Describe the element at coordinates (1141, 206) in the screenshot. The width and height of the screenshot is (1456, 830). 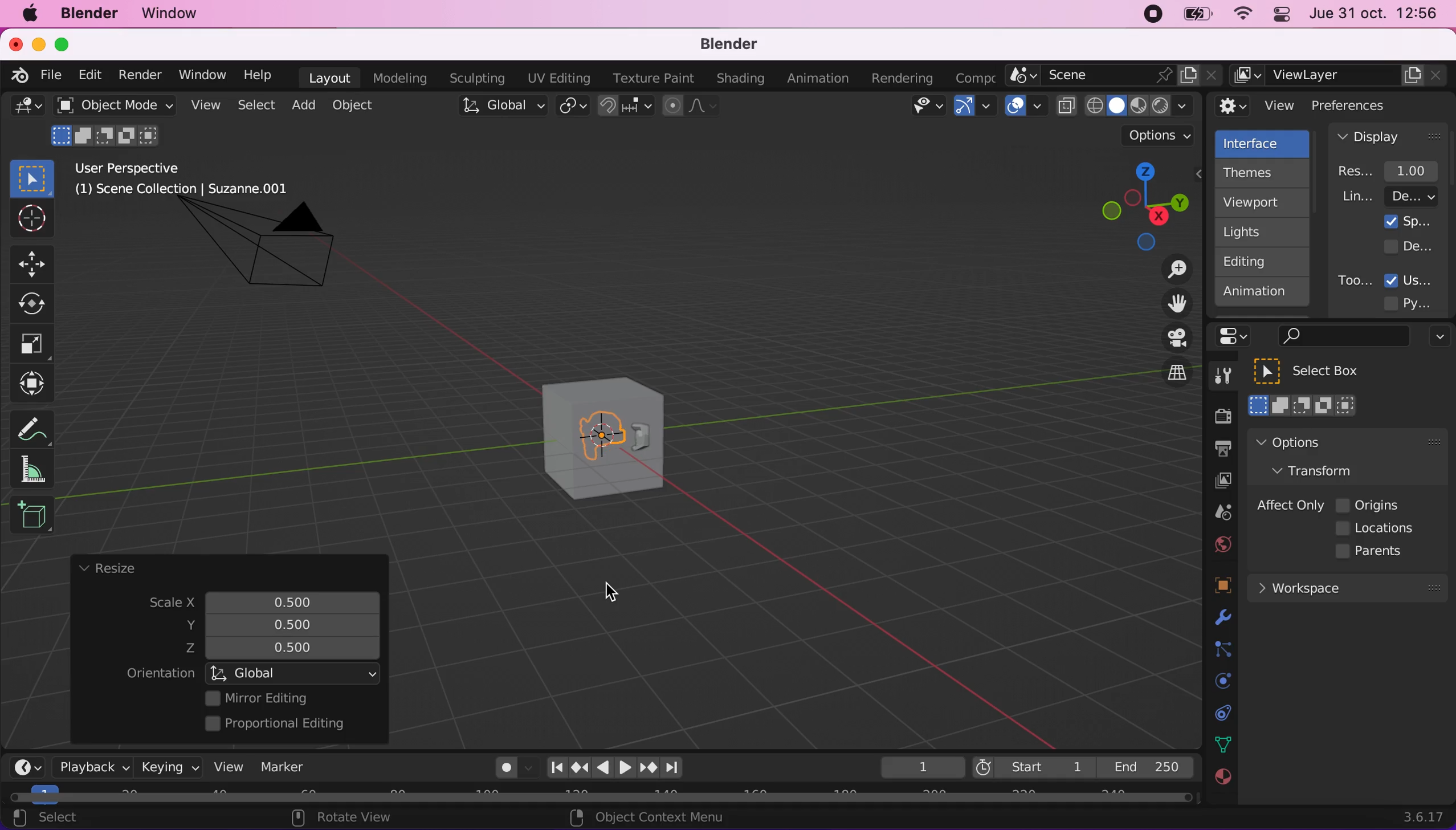
I see `click, shortcut, drag` at that location.